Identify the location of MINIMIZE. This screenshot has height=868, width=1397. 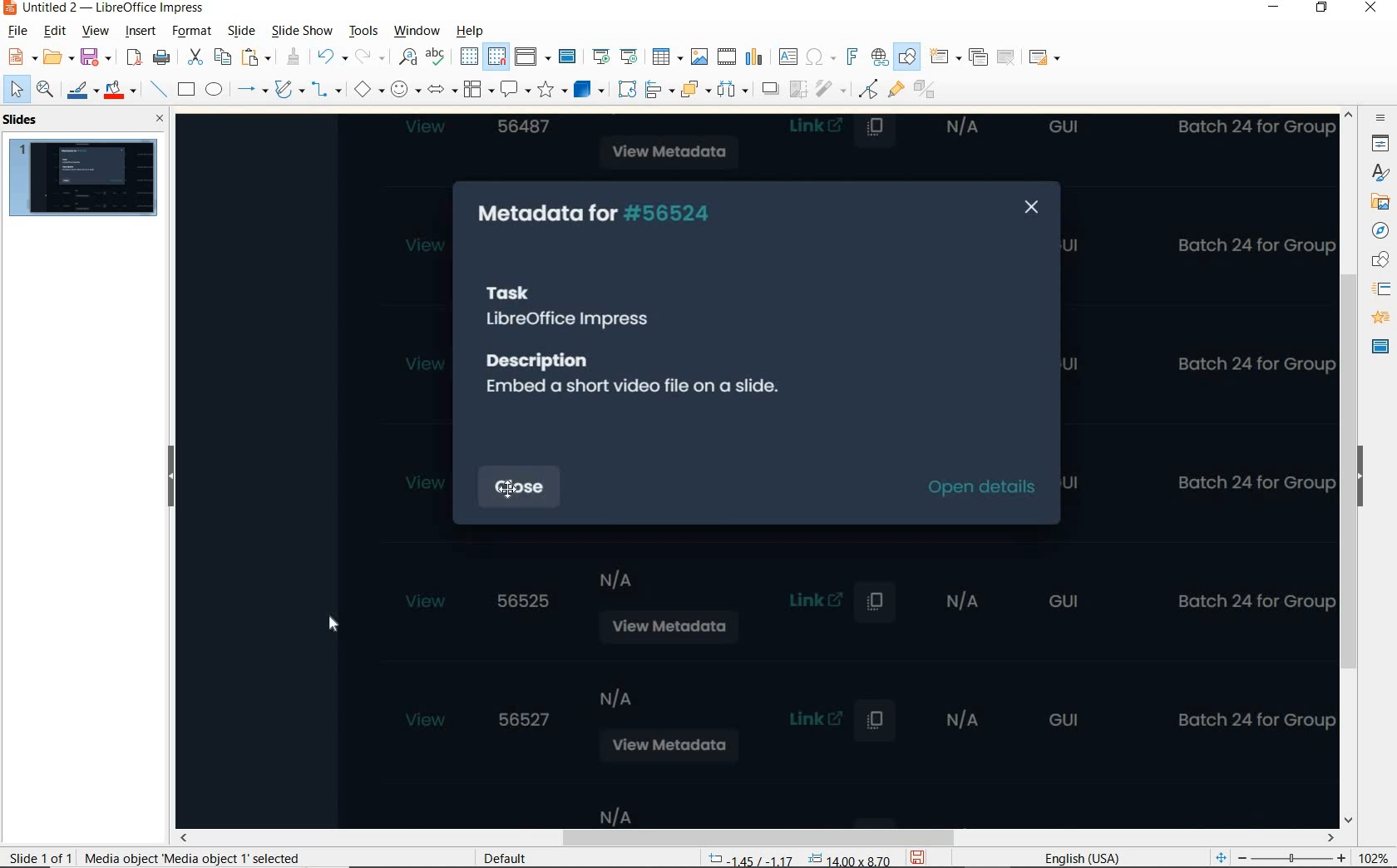
(1271, 8).